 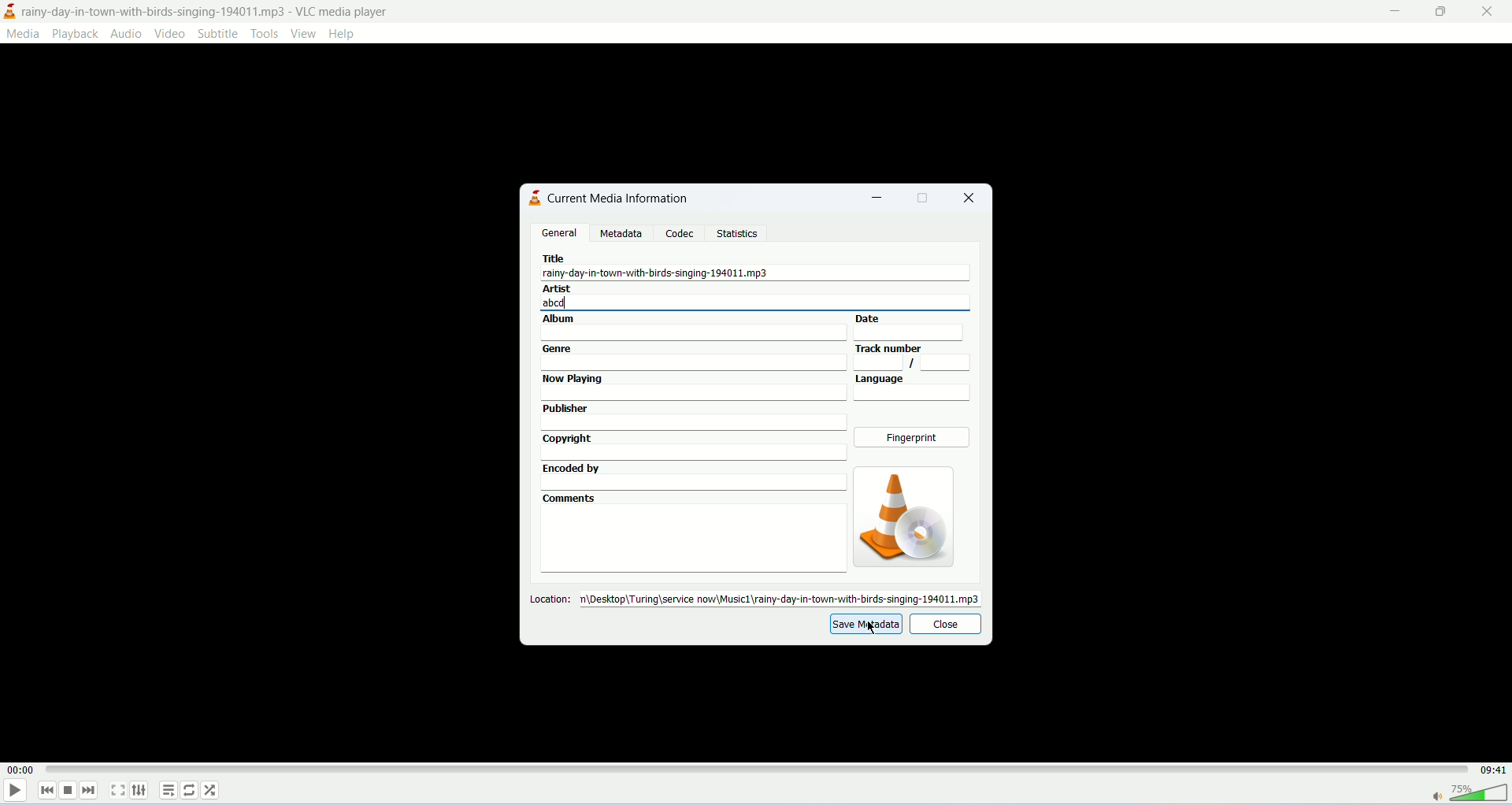 I want to click on language, so click(x=914, y=388).